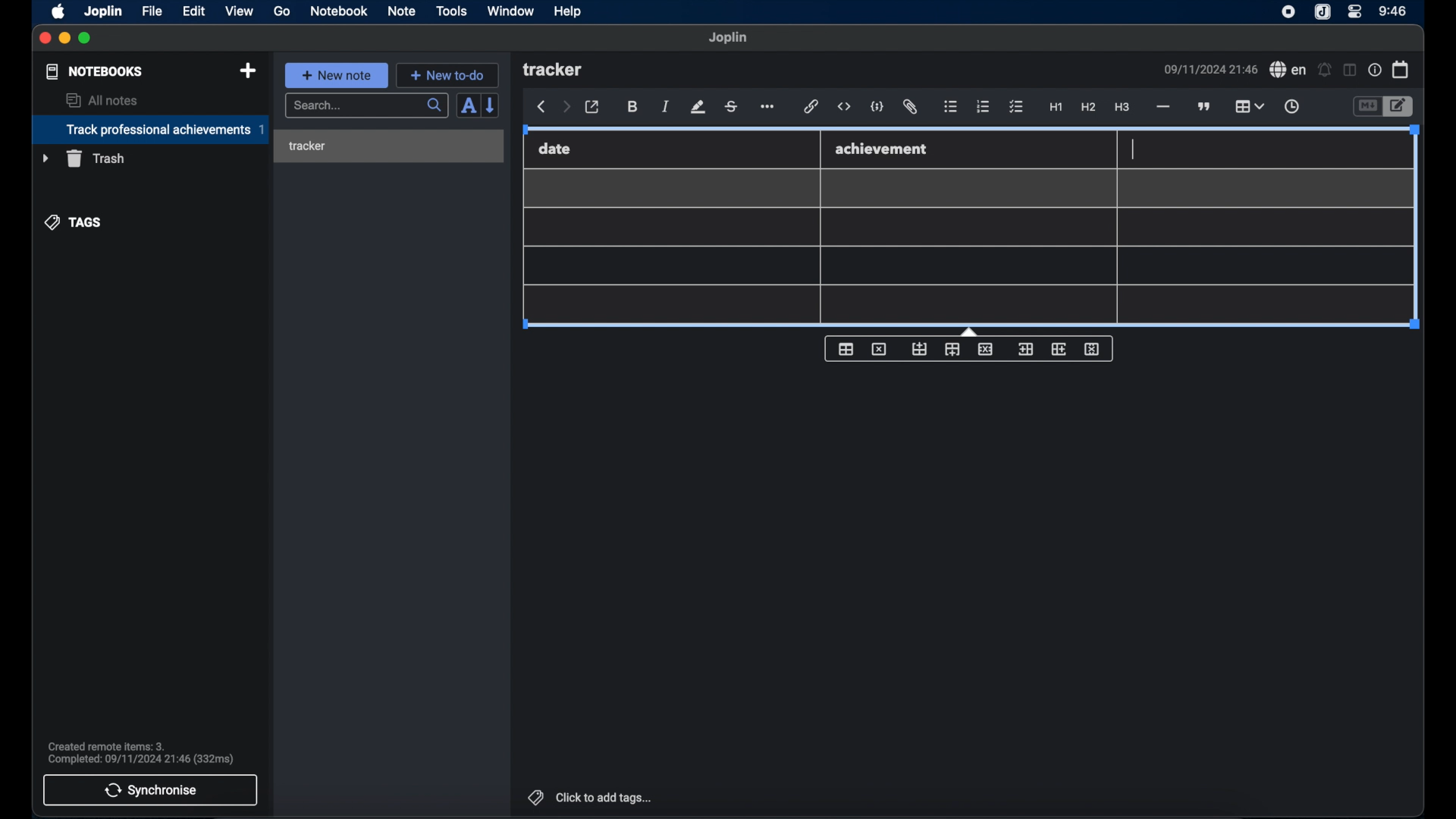  I want to click on italic, so click(666, 108).